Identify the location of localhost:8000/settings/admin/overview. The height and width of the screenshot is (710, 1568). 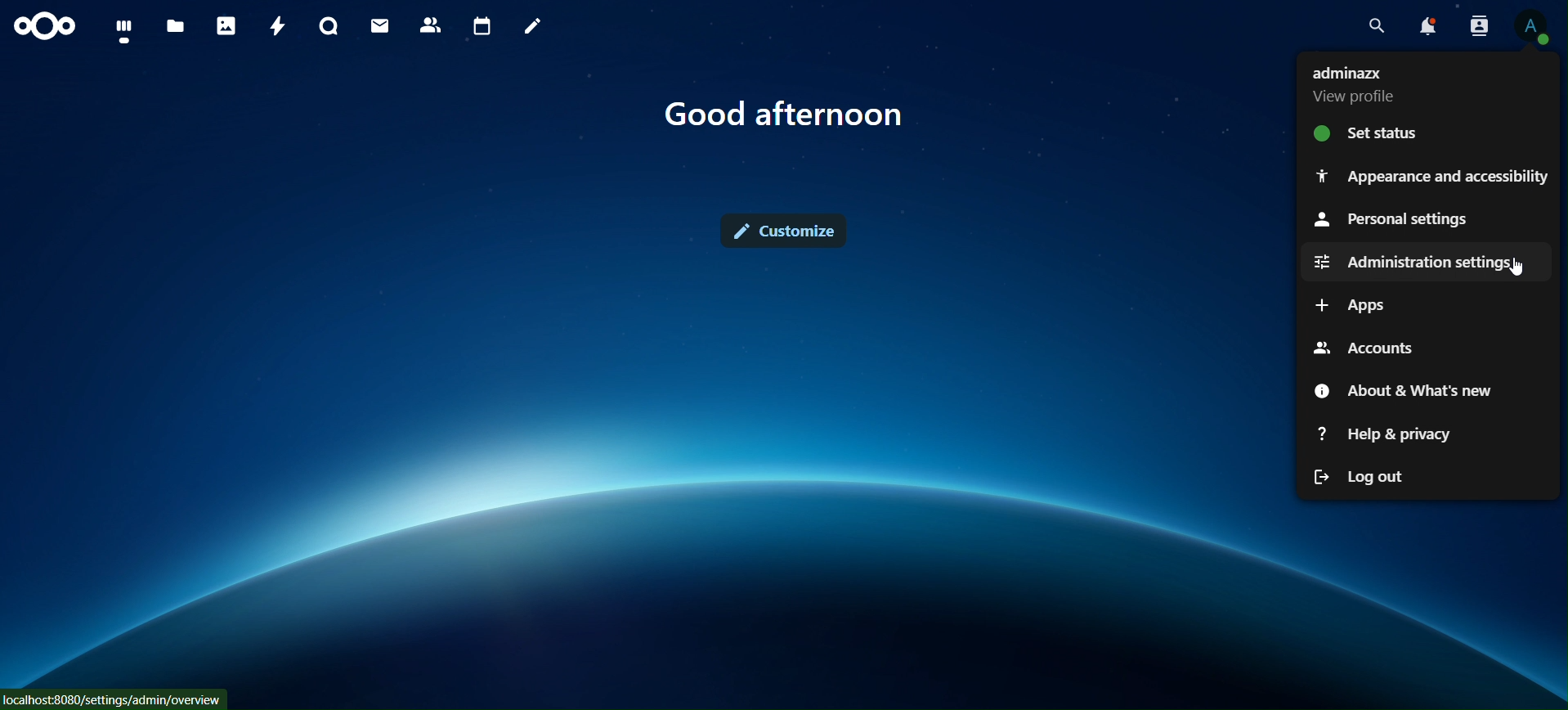
(117, 699).